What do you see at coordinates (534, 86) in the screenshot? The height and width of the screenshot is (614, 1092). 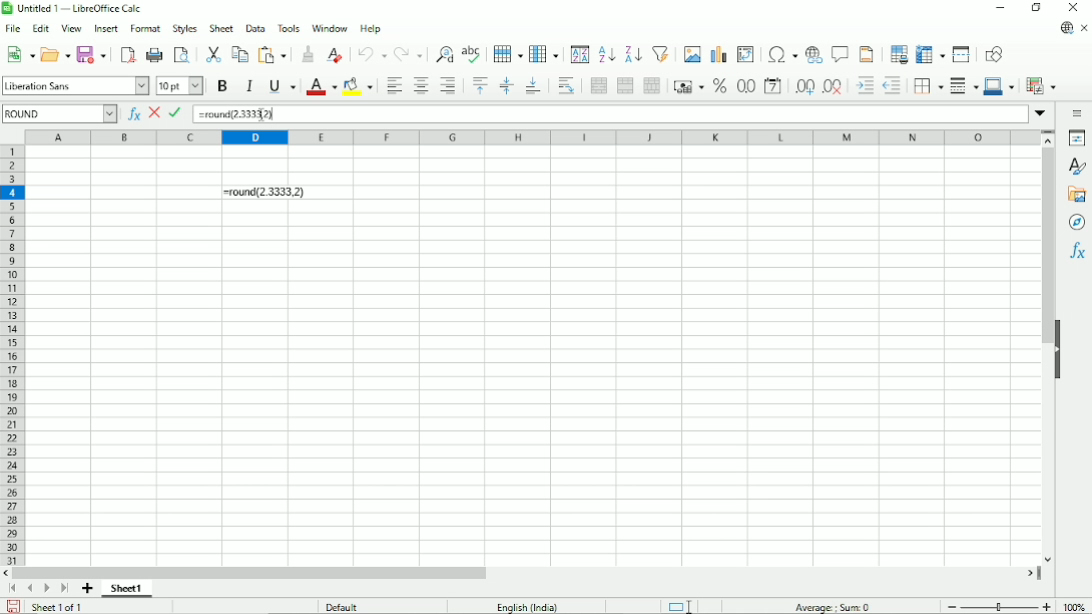 I see `Align bottom` at bounding box center [534, 86].